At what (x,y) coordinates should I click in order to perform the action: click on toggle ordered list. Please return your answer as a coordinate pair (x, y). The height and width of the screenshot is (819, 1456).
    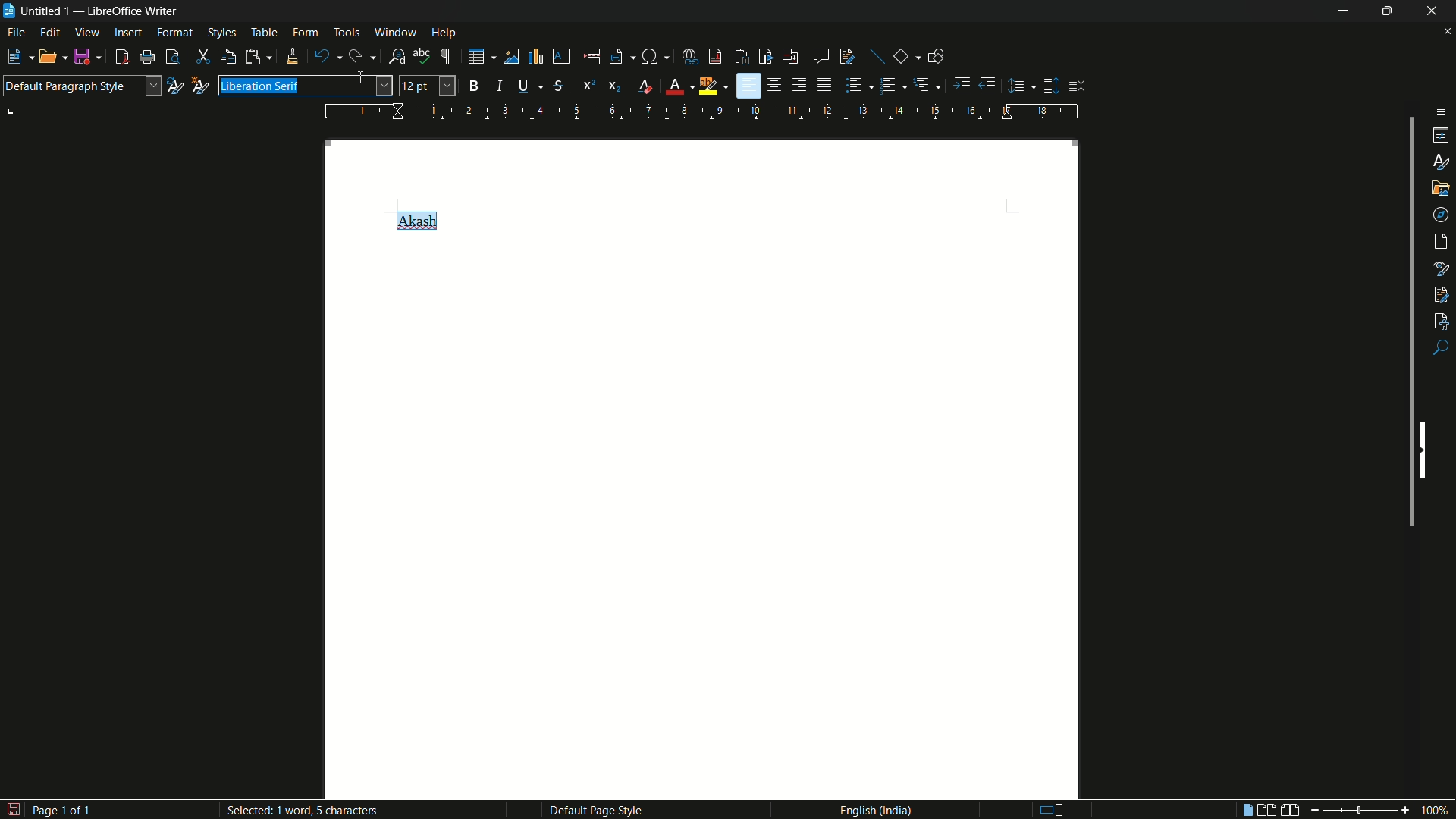
    Looking at the image, I should click on (890, 85).